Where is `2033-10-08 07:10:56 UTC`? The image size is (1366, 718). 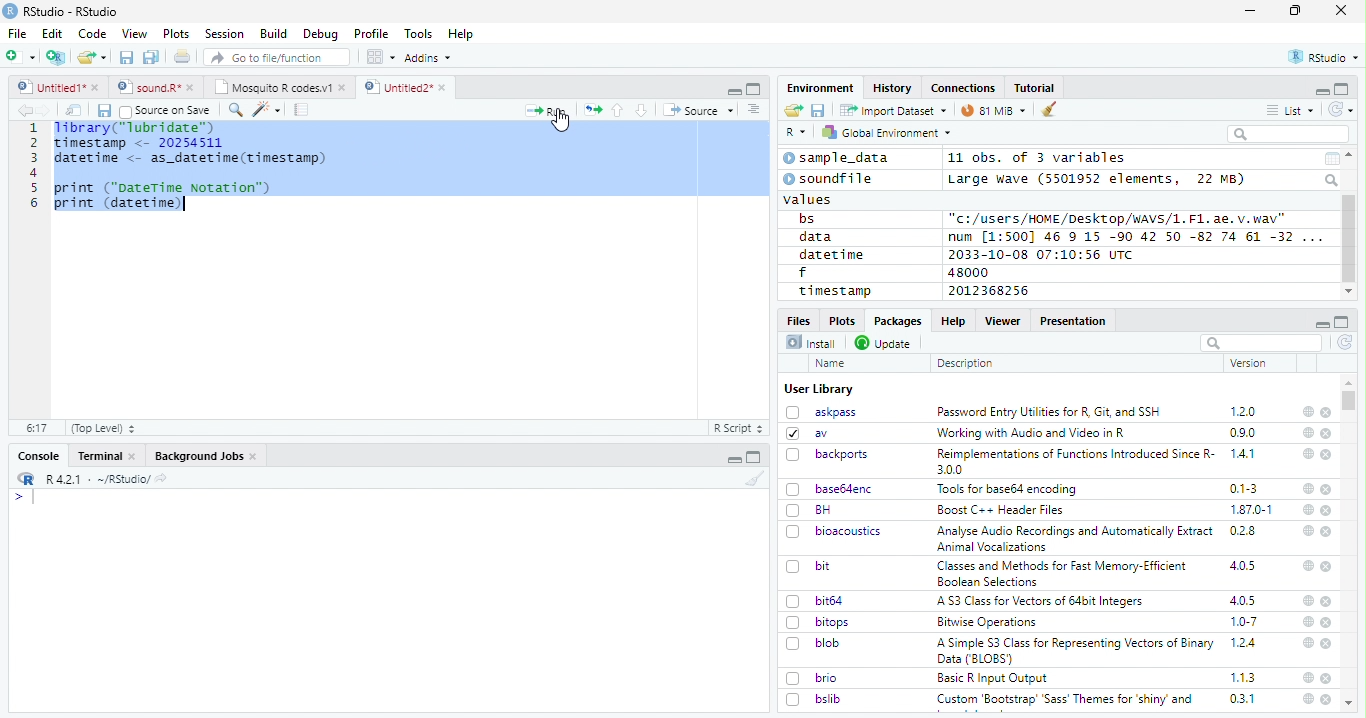
2033-10-08 07:10:56 UTC is located at coordinates (1042, 254).